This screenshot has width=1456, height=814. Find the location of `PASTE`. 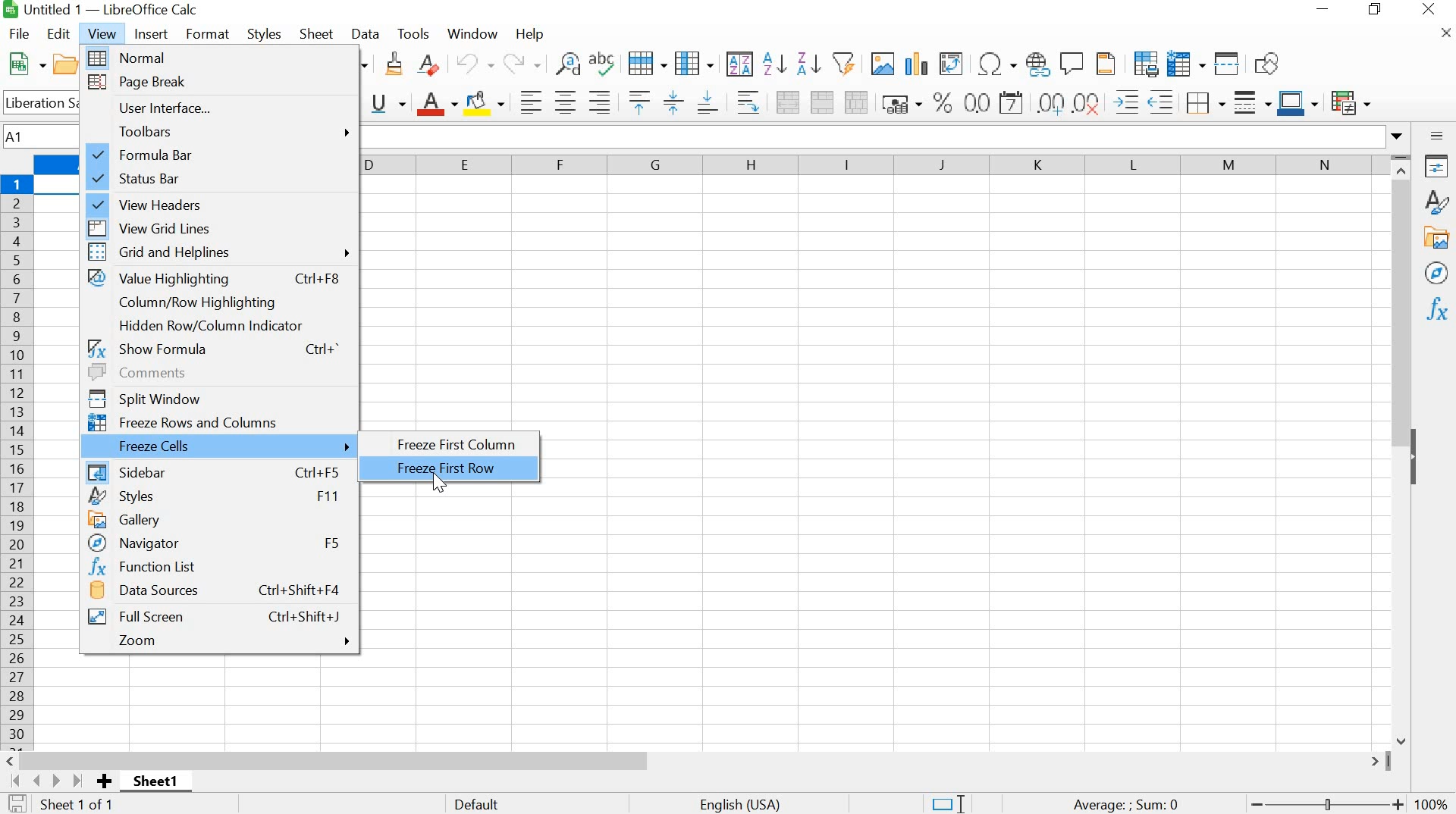

PASTE is located at coordinates (364, 64).